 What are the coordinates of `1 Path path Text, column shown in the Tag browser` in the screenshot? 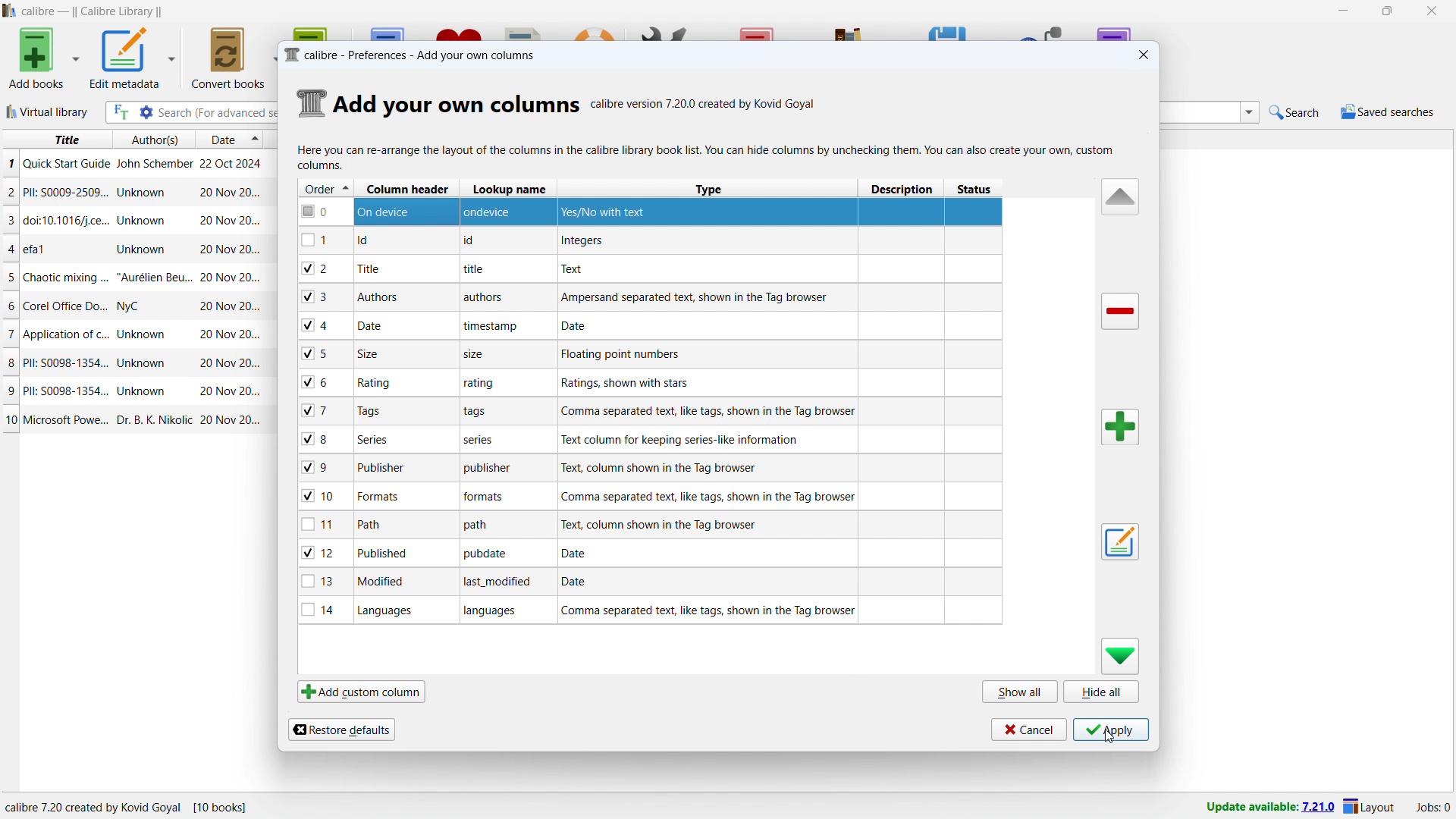 It's located at (646, 525).